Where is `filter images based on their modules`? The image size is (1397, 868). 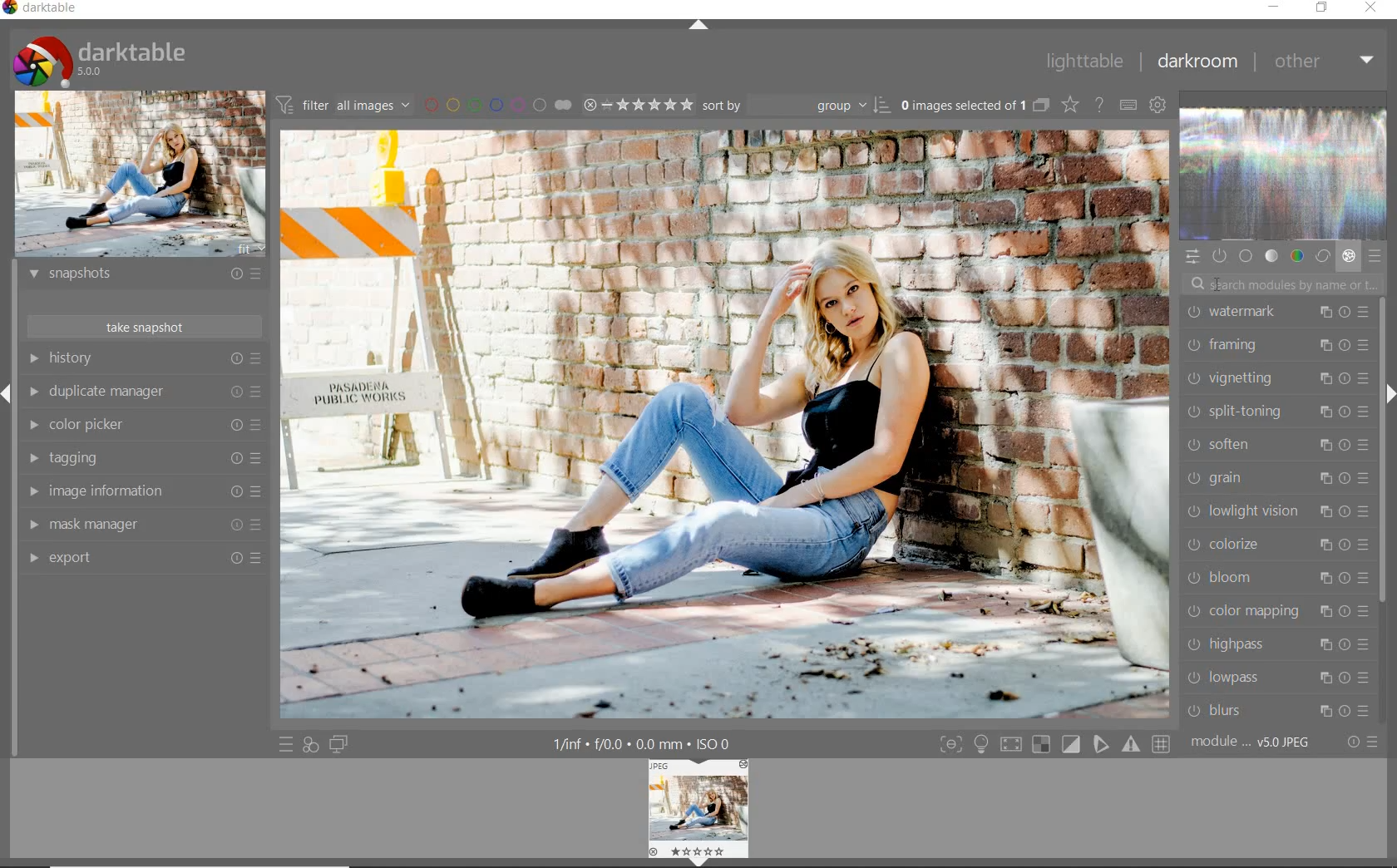 filter images based on their modules is located at coordinates (346, 106).